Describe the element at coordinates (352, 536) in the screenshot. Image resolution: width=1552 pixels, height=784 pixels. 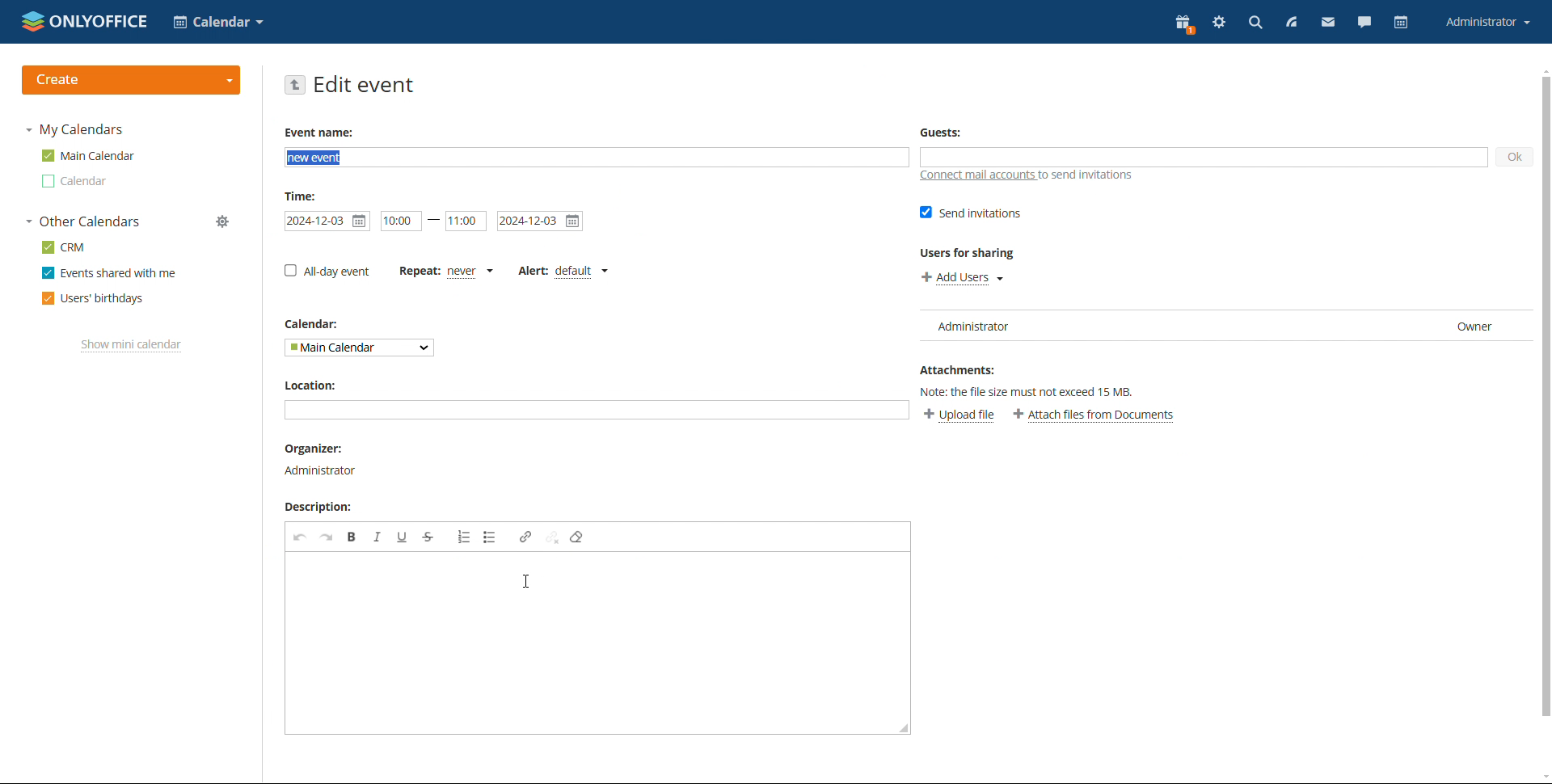
I see `bold` at that location.